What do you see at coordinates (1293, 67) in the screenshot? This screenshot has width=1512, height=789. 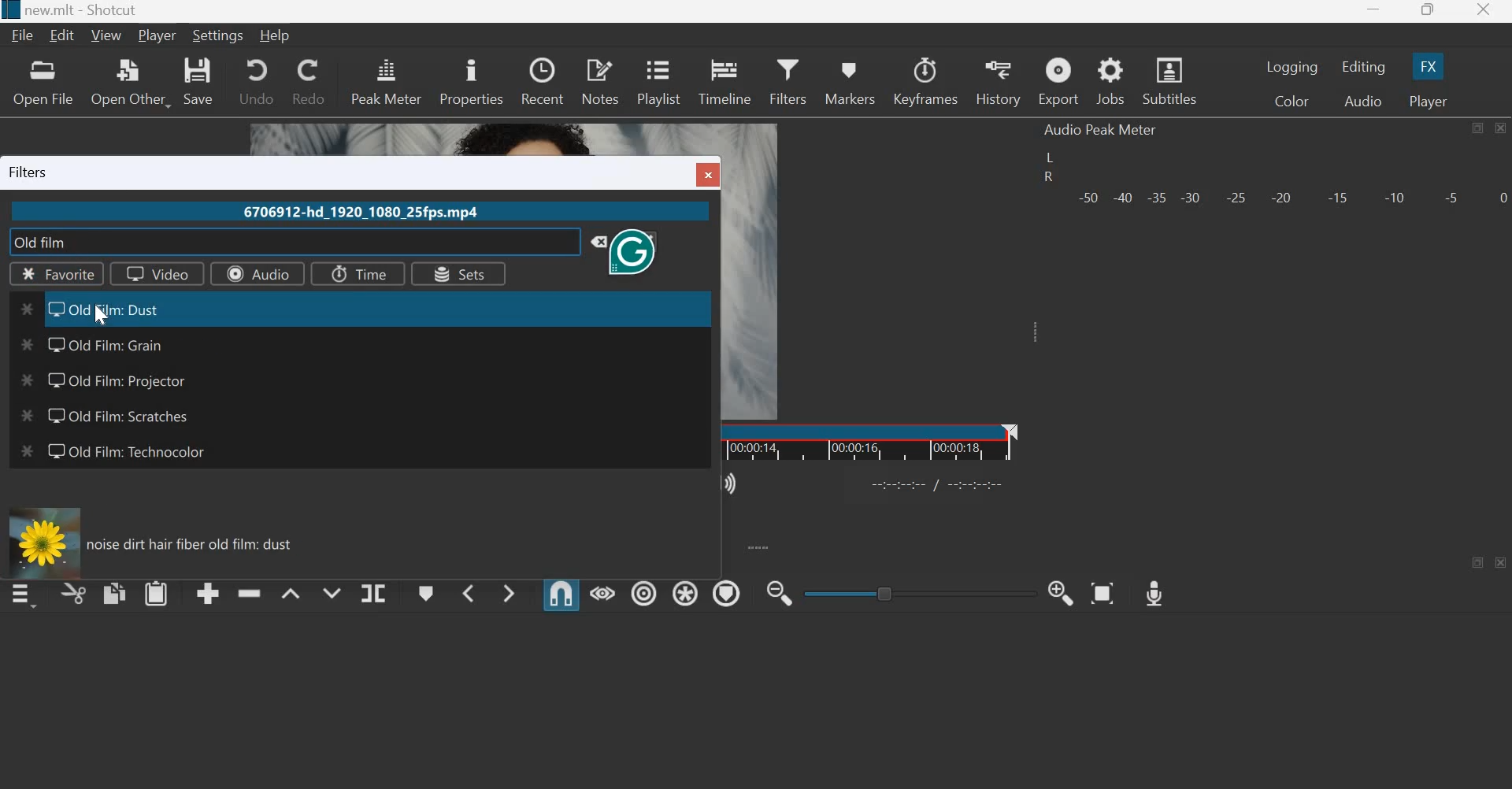 I see `Logging` at bounding box center [1293, 67].